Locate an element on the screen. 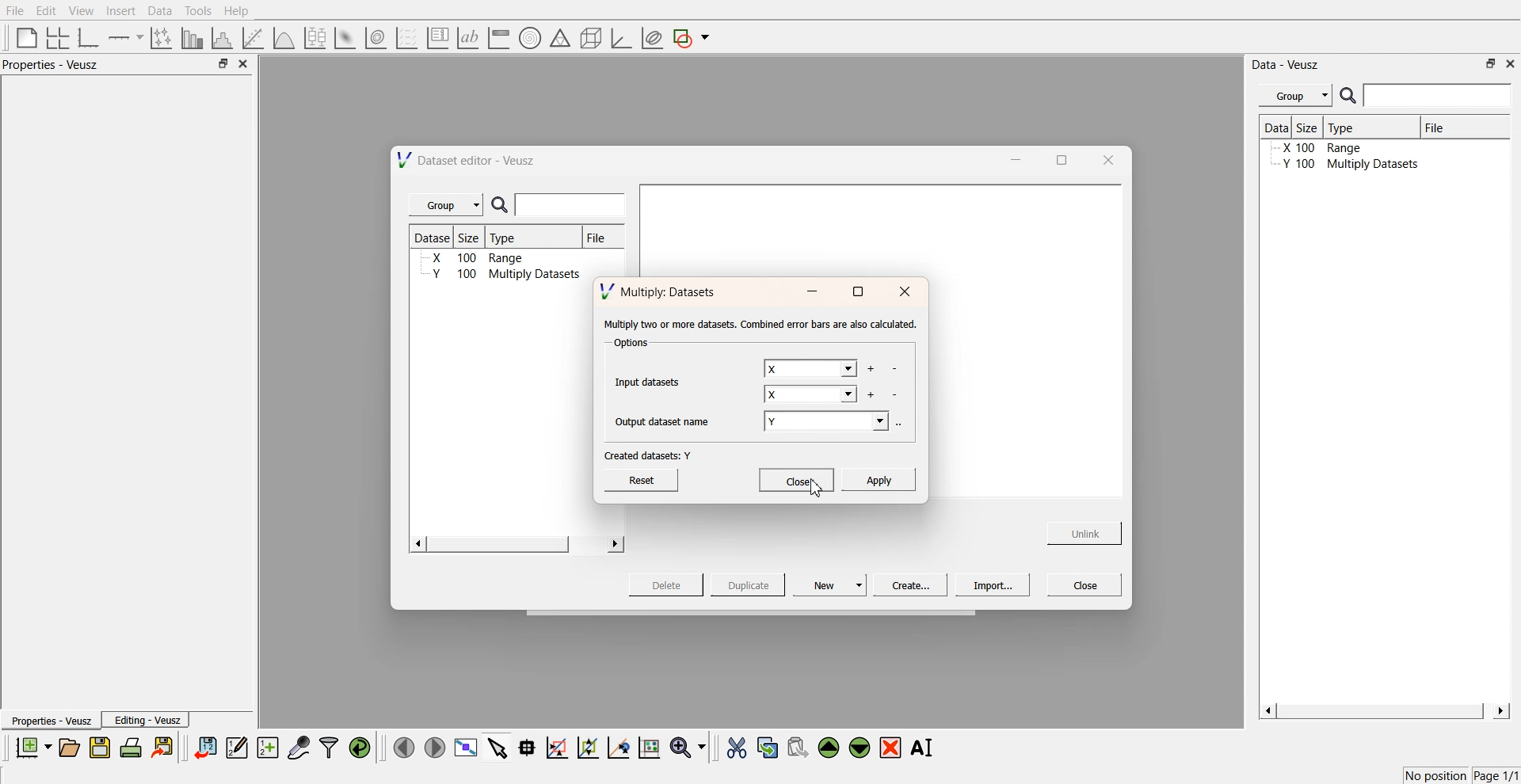  3d graph is located at coordinates (620, 39).